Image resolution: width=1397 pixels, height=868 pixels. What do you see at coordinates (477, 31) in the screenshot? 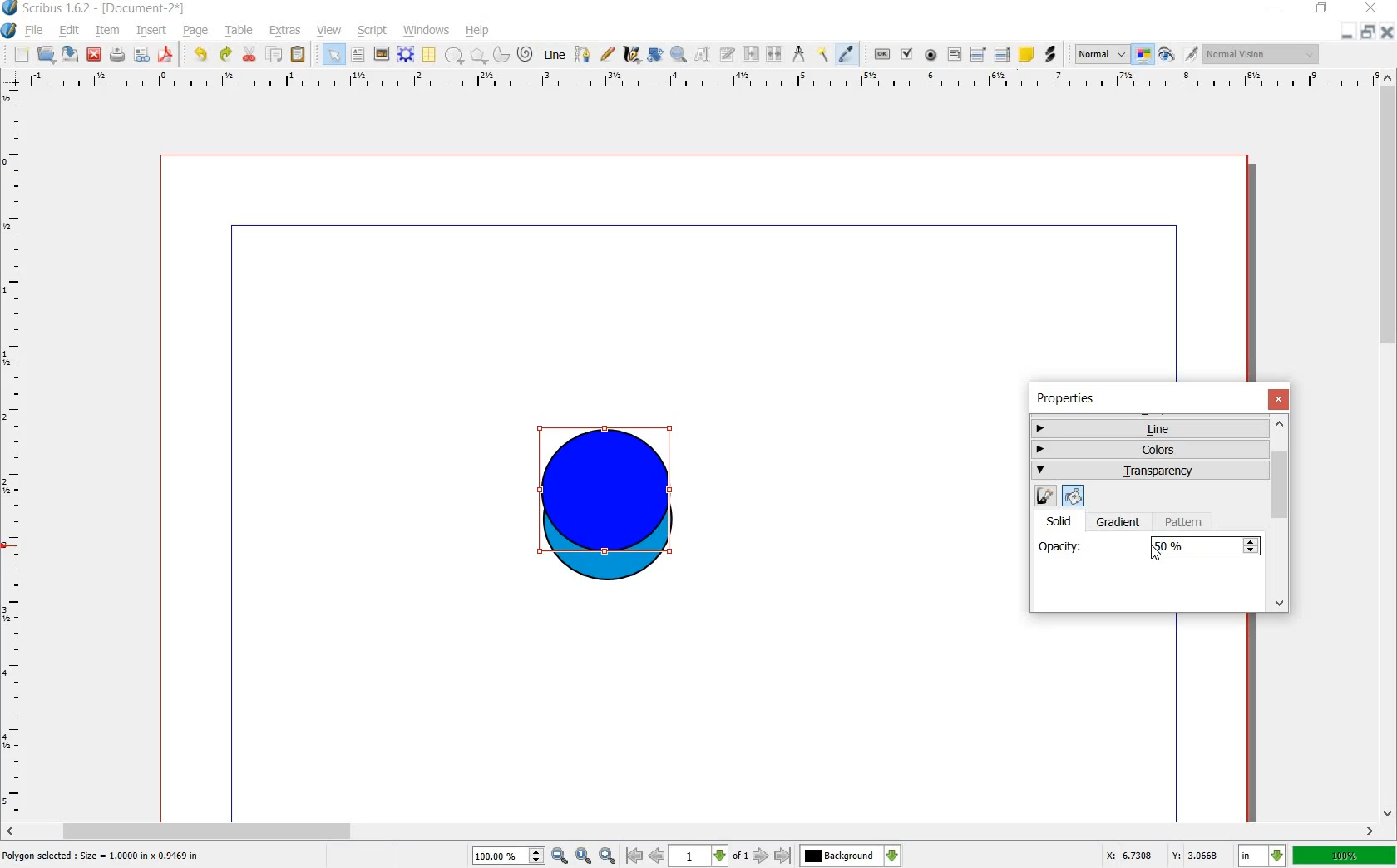
I see `help` at bounding box center [477, 31].